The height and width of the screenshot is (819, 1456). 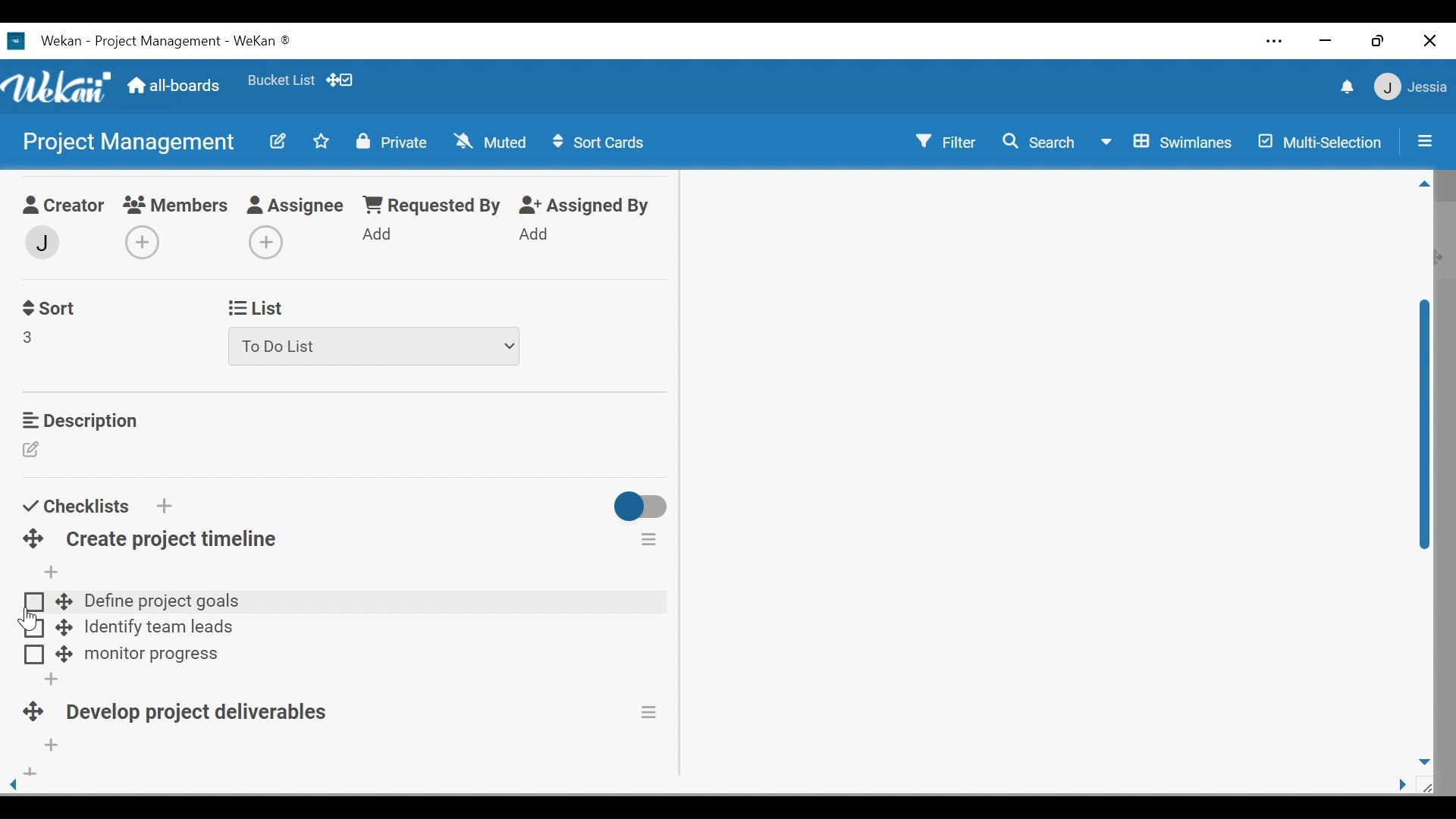 I want to click on notifications, so click(x=1345, y=86).